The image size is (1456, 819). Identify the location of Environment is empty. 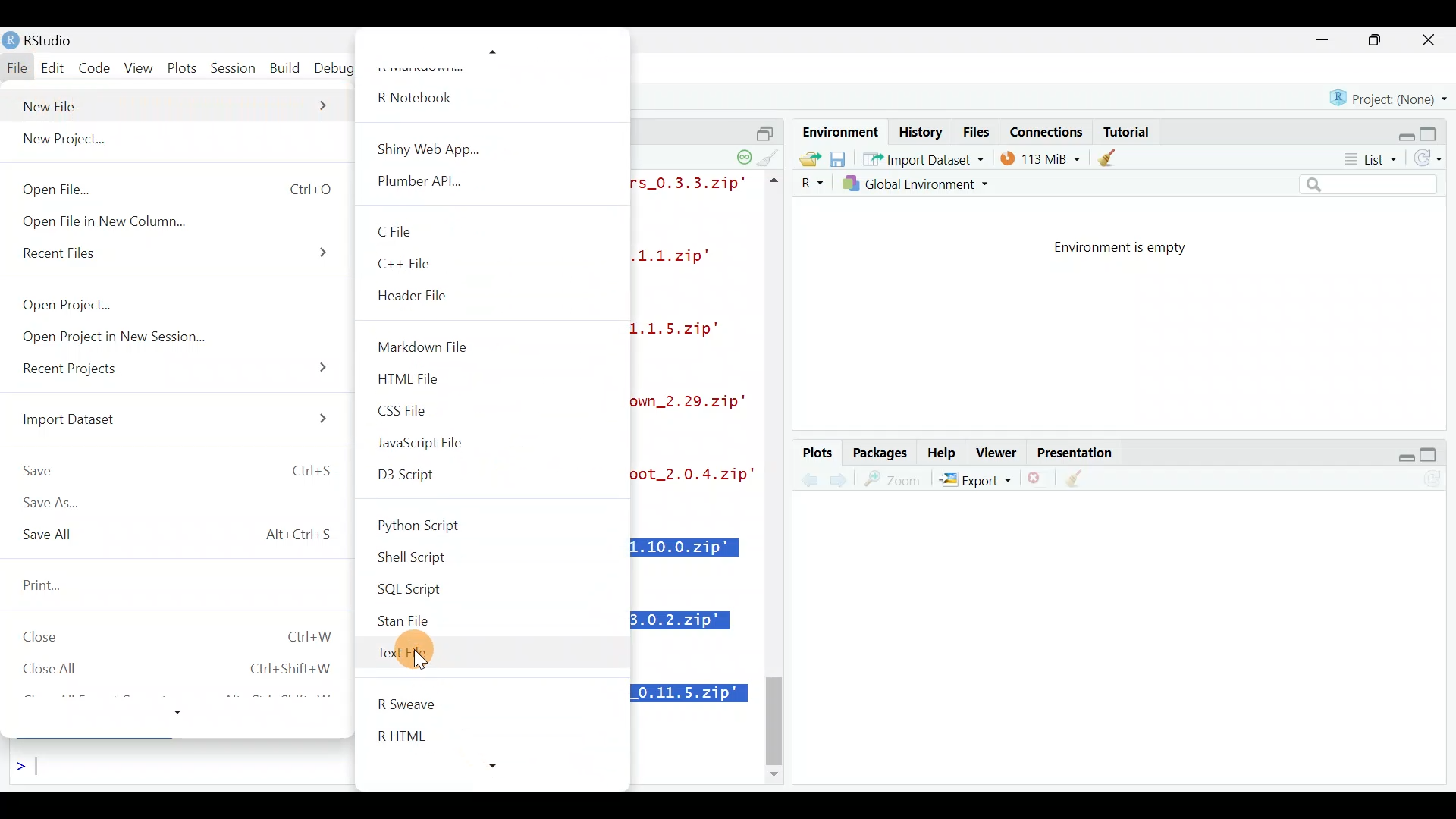
(1133, 248).